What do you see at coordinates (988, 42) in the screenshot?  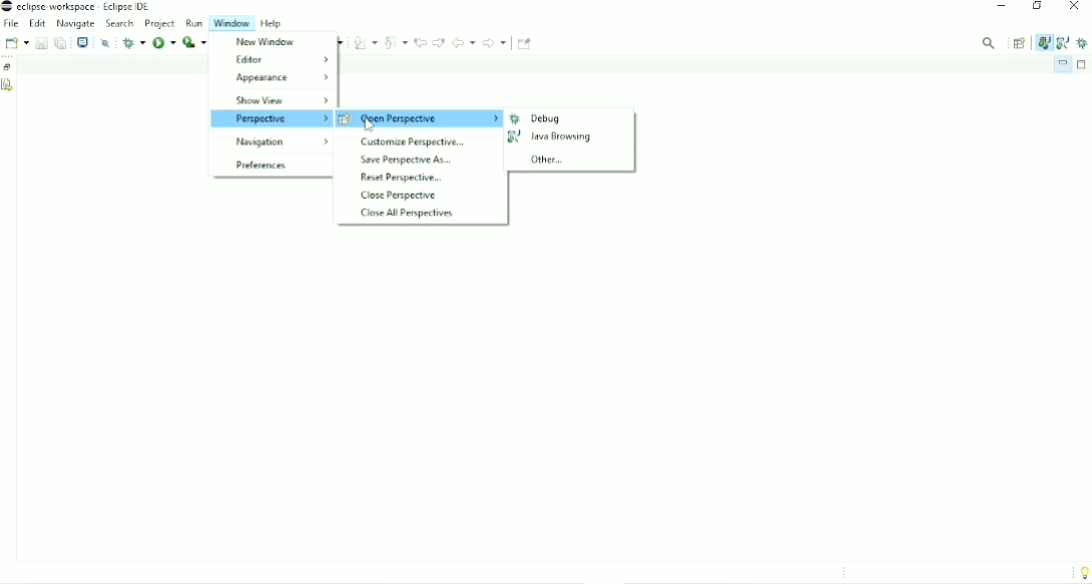 I see `Access commands and other items` at bounding box center [988, 42].